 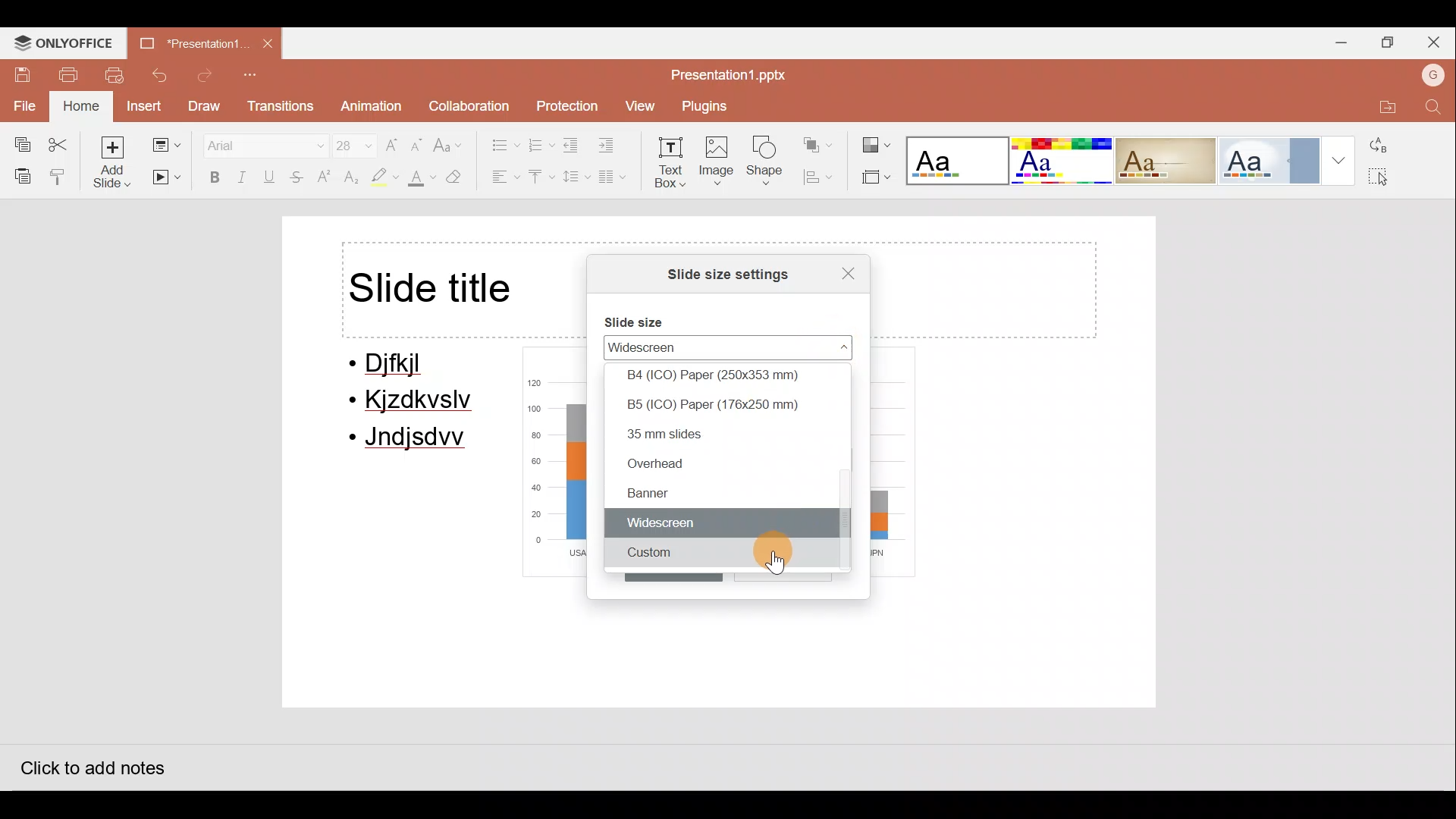 What do you see at coordinates (369, 107) in the screenshot?
I see `Animation` at bounding box center [369, 107].